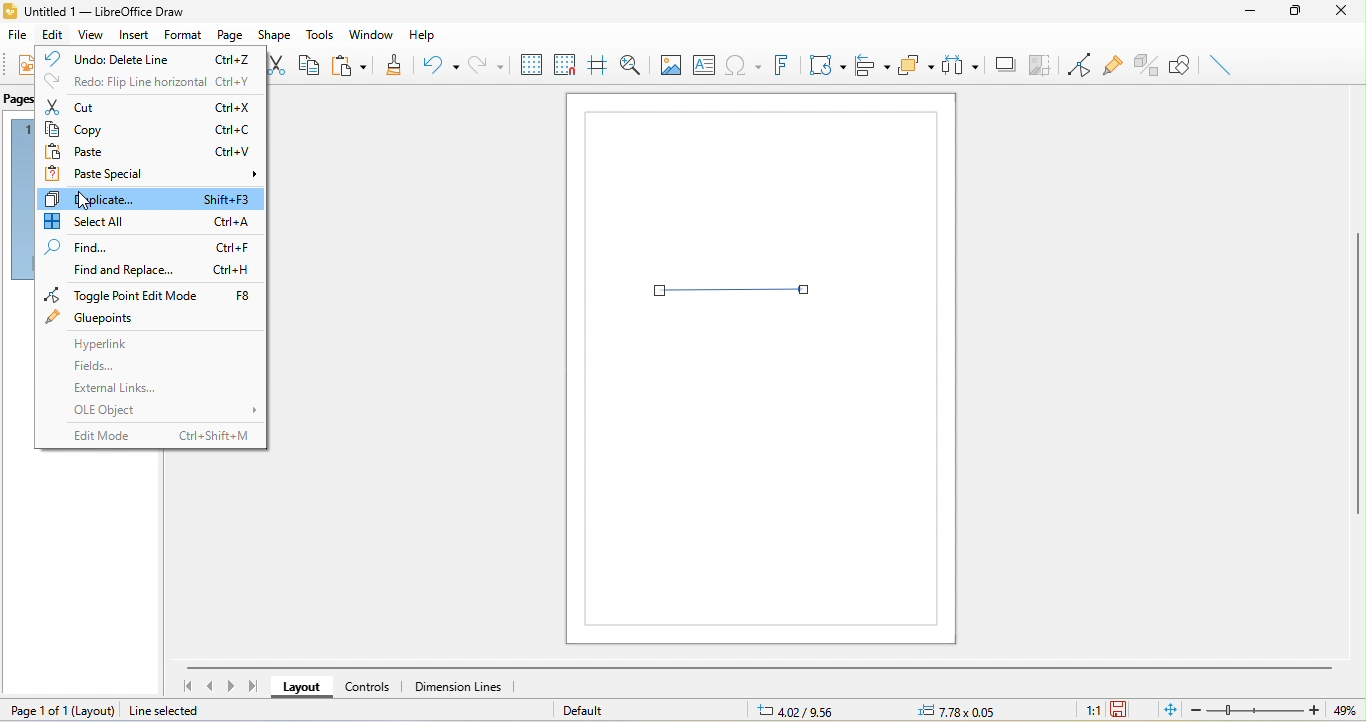 Image resolution: width=1366 pixels, height=722 pixels. I want to click on redo, so click(487, 63).